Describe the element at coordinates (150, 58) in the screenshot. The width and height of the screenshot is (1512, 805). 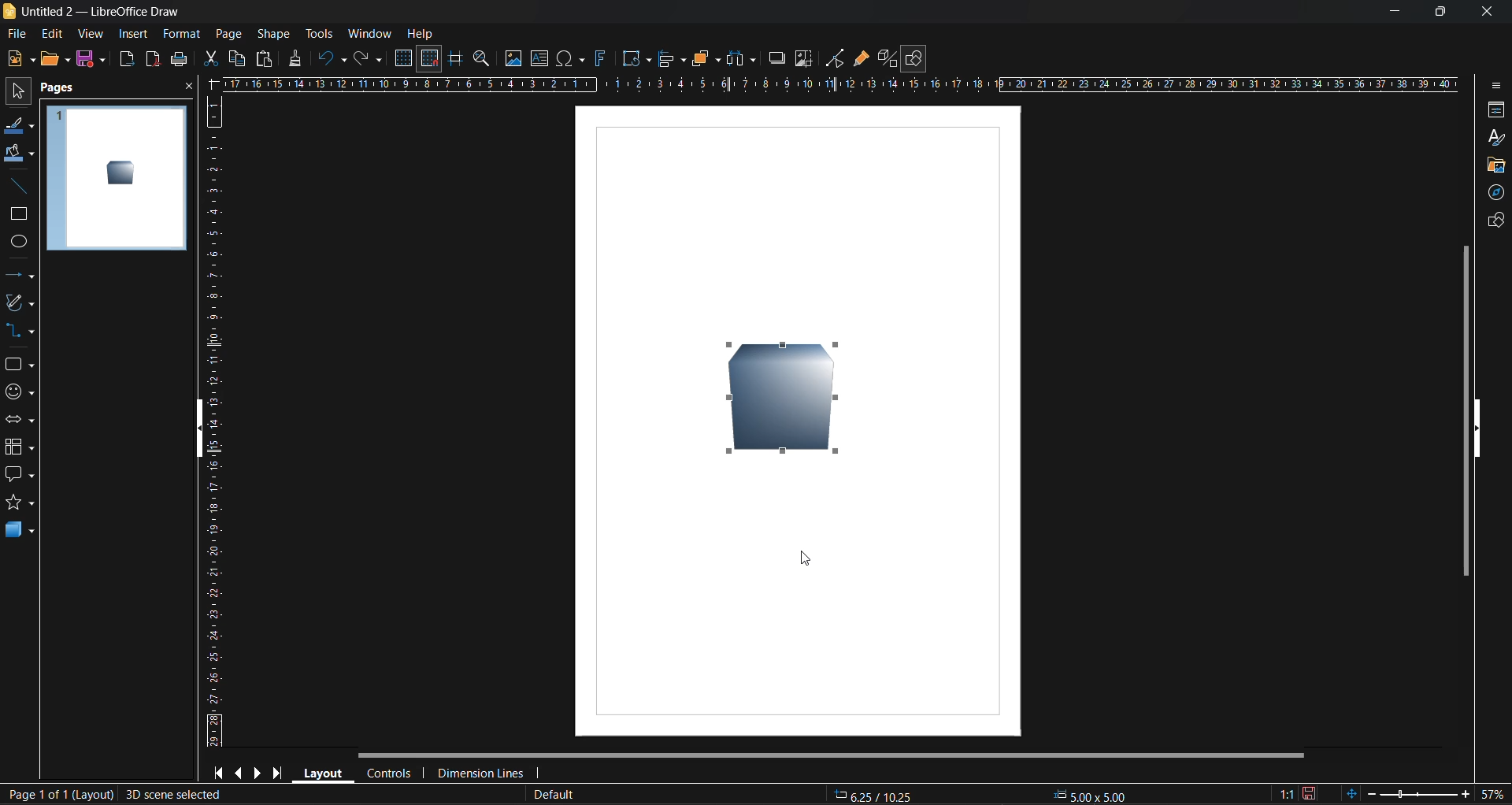
I see `export as pdf` at that location.